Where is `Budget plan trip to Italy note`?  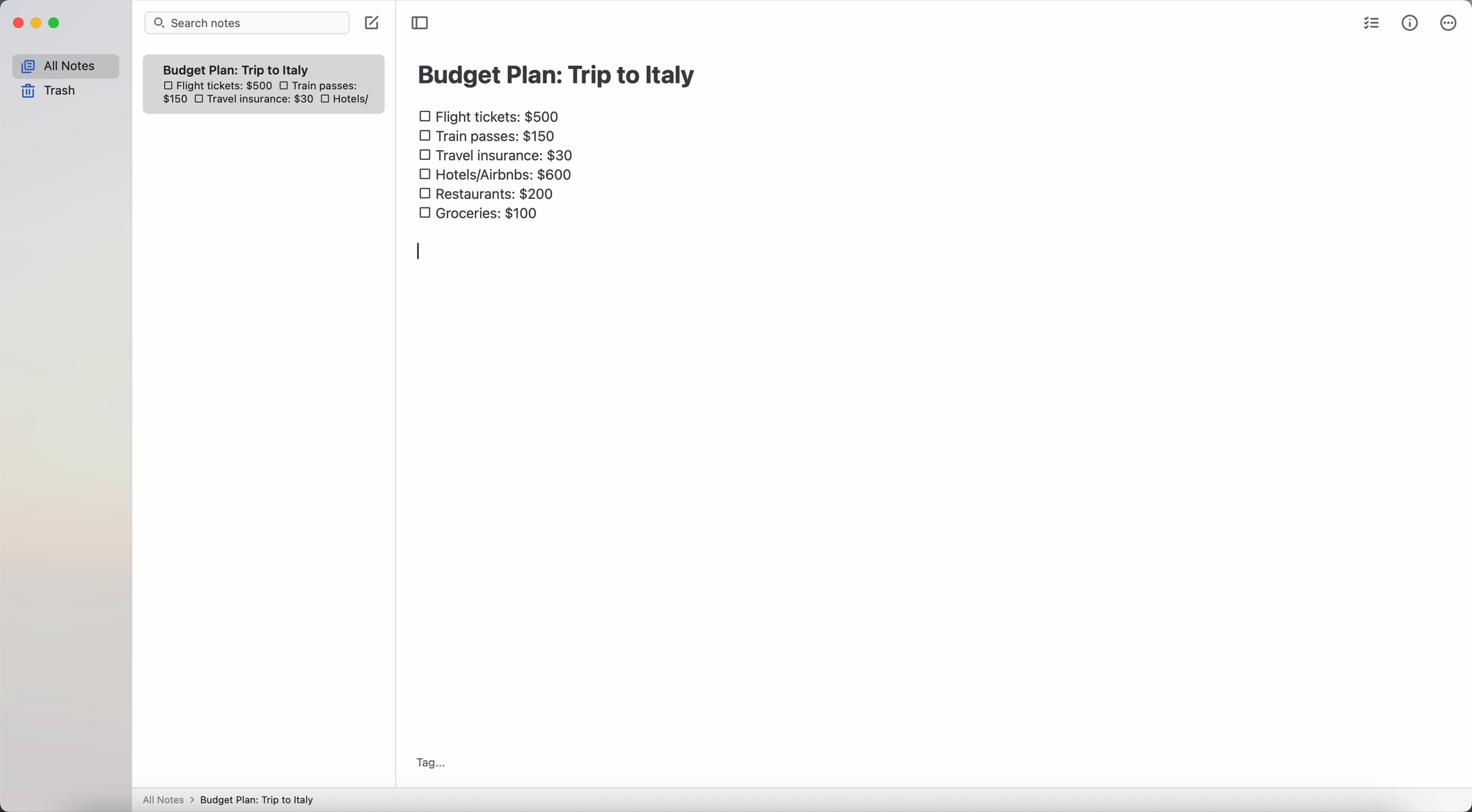 Budget plan trip to Italy note is located at coordinates (238, 69).